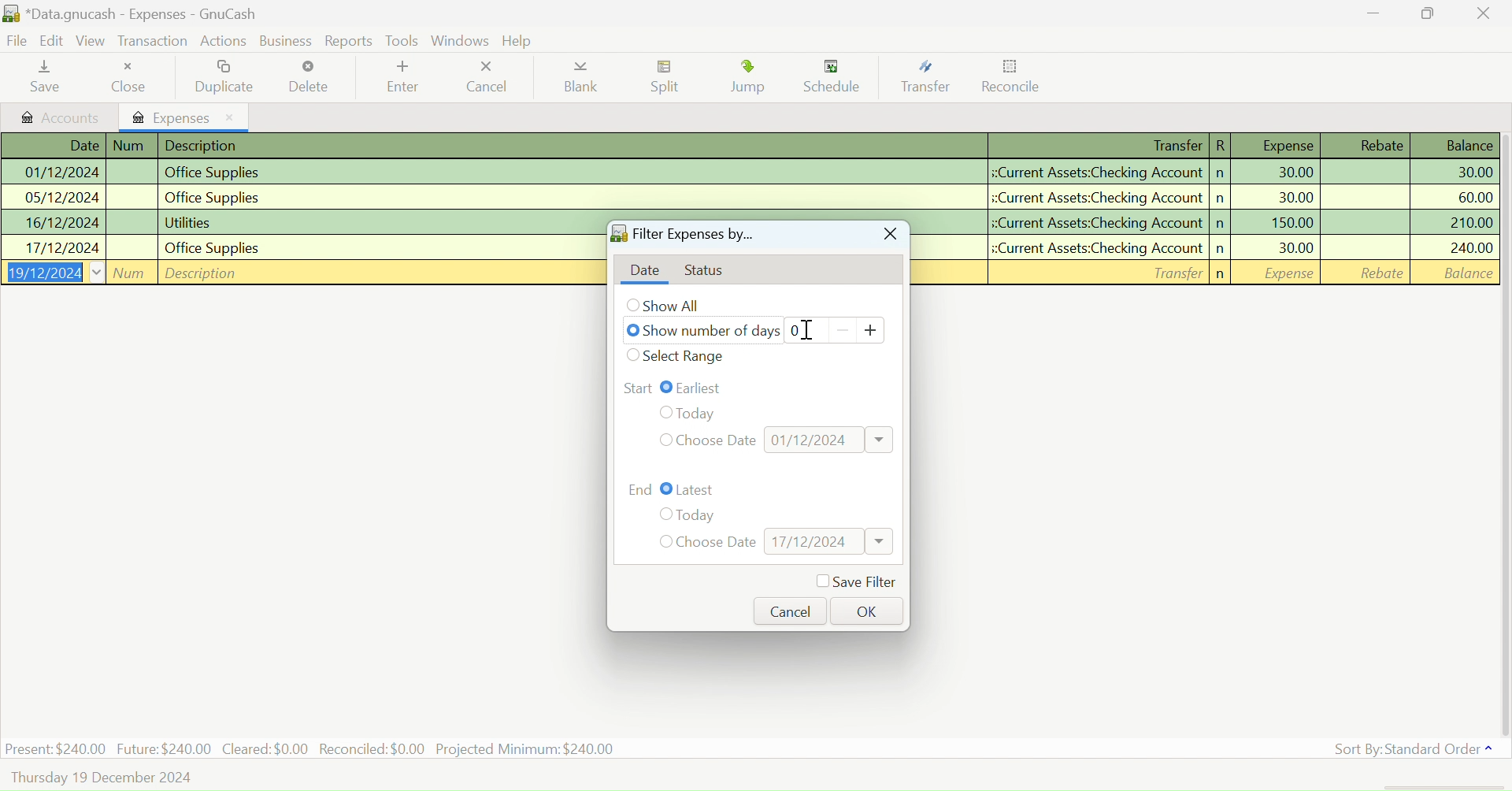 Image resolution: width=1512 pixels, height=791 pixels. Describe the element at coordinates (228, 76) in the screenshot. I see `Duplicate` at that location.